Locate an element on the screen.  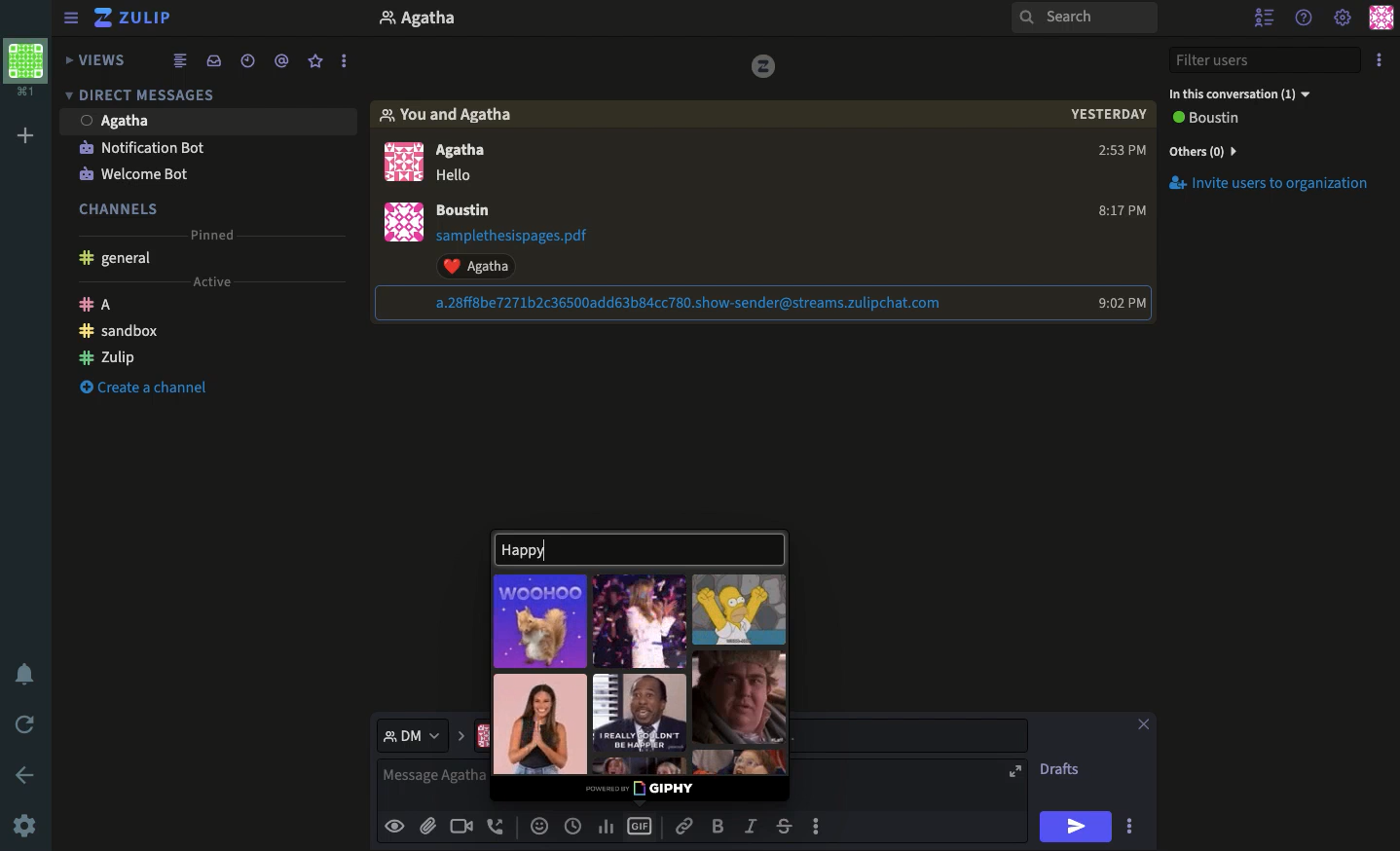
Chart is located at coordinates (605, 827).